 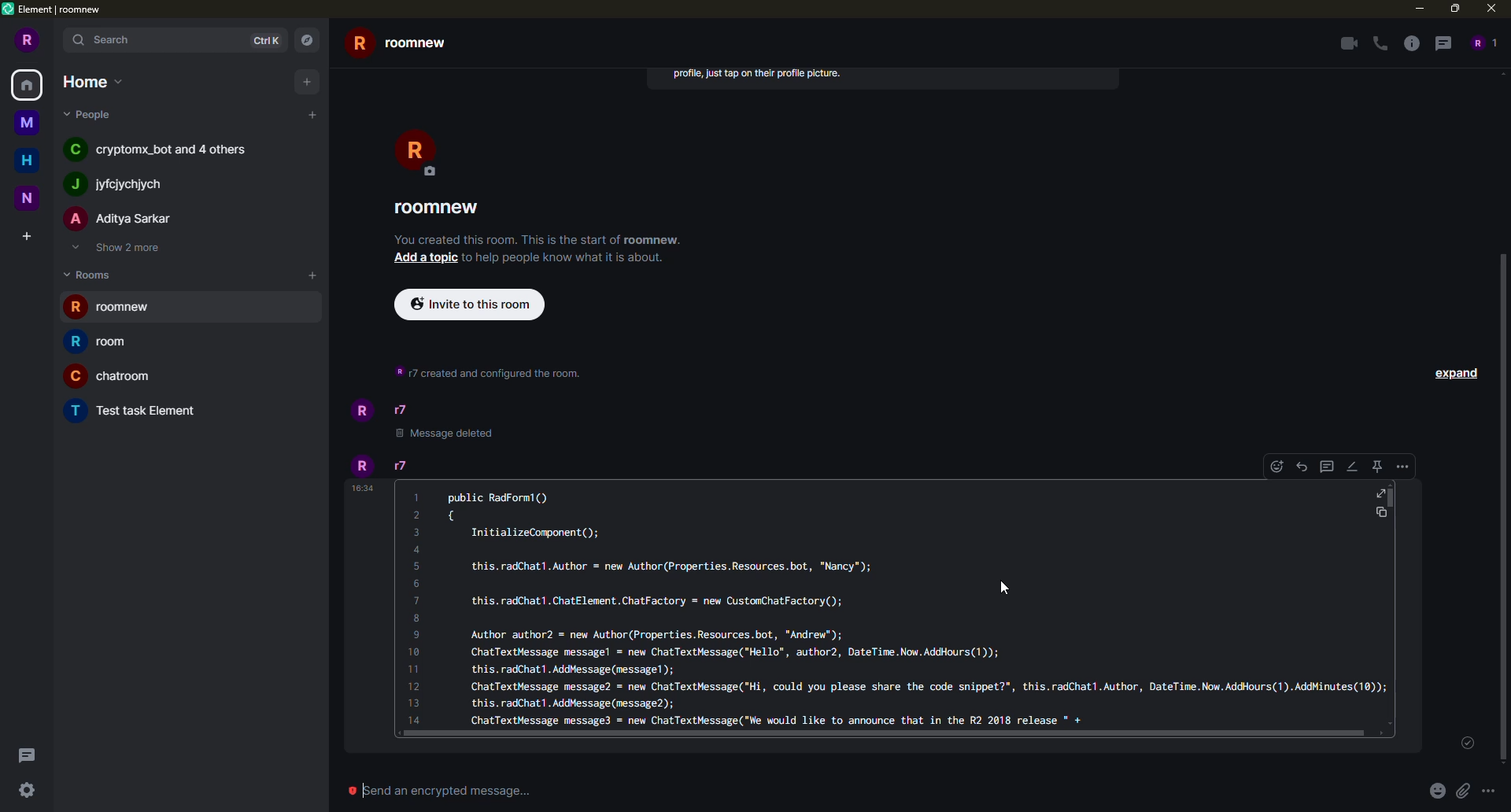 I want to click on home, so click(x=26, y=158).